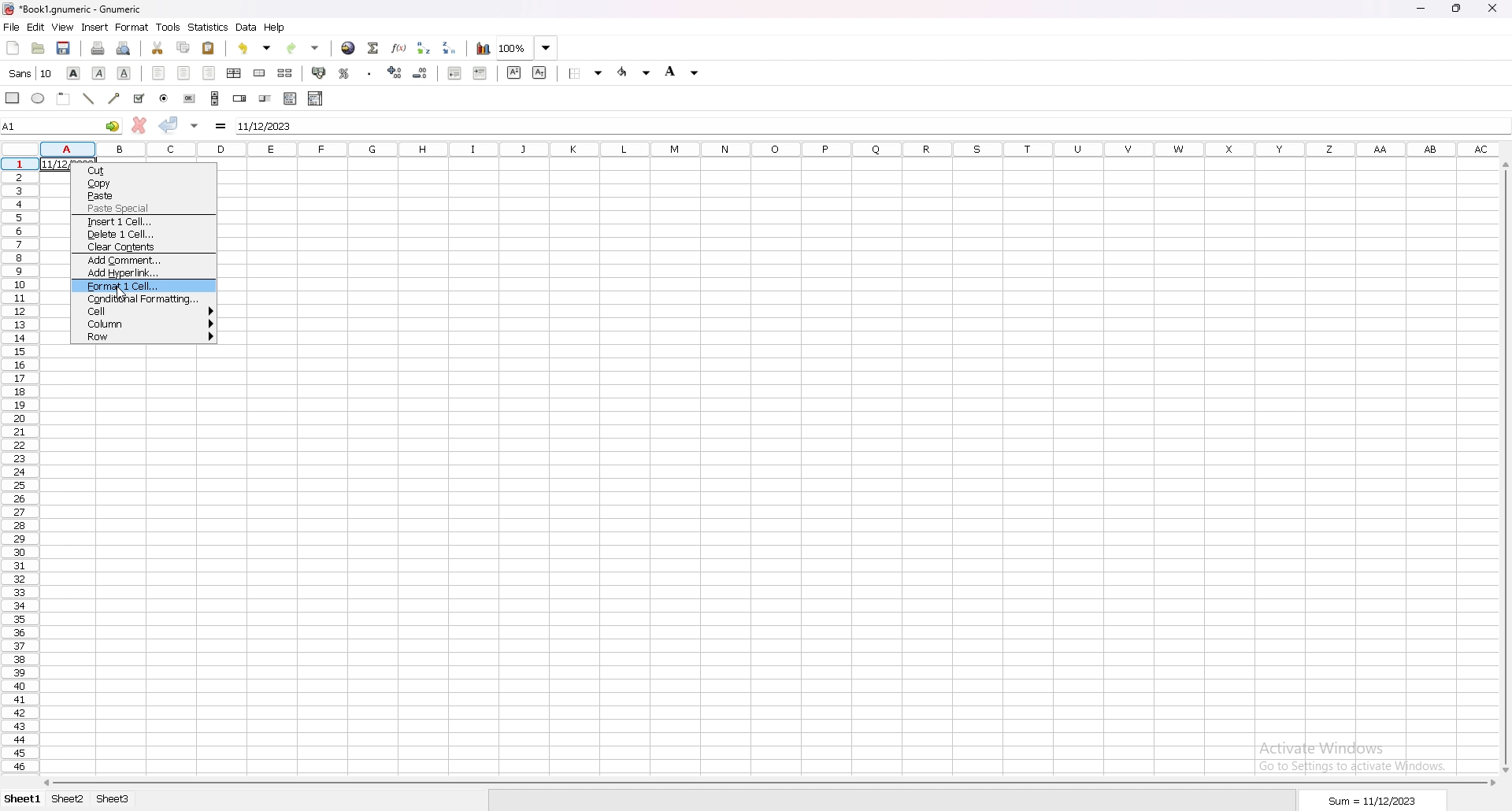 This screenshot has height=811, width=1512. Describe the element at coordinates (420, 73) in the screenshot. I see `decrease indent` at that location.